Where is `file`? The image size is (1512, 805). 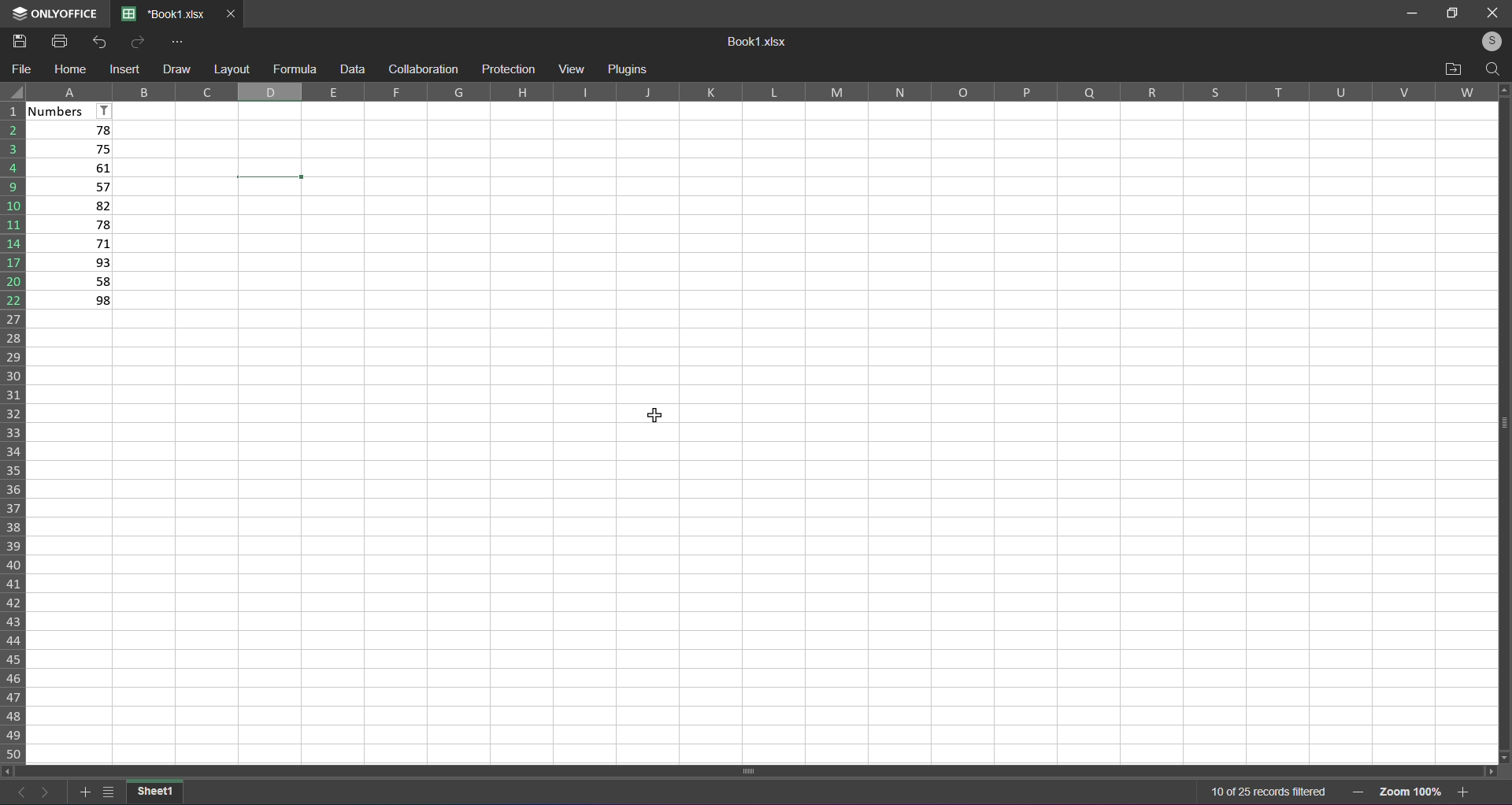 file is located at coordinates (24, 69).